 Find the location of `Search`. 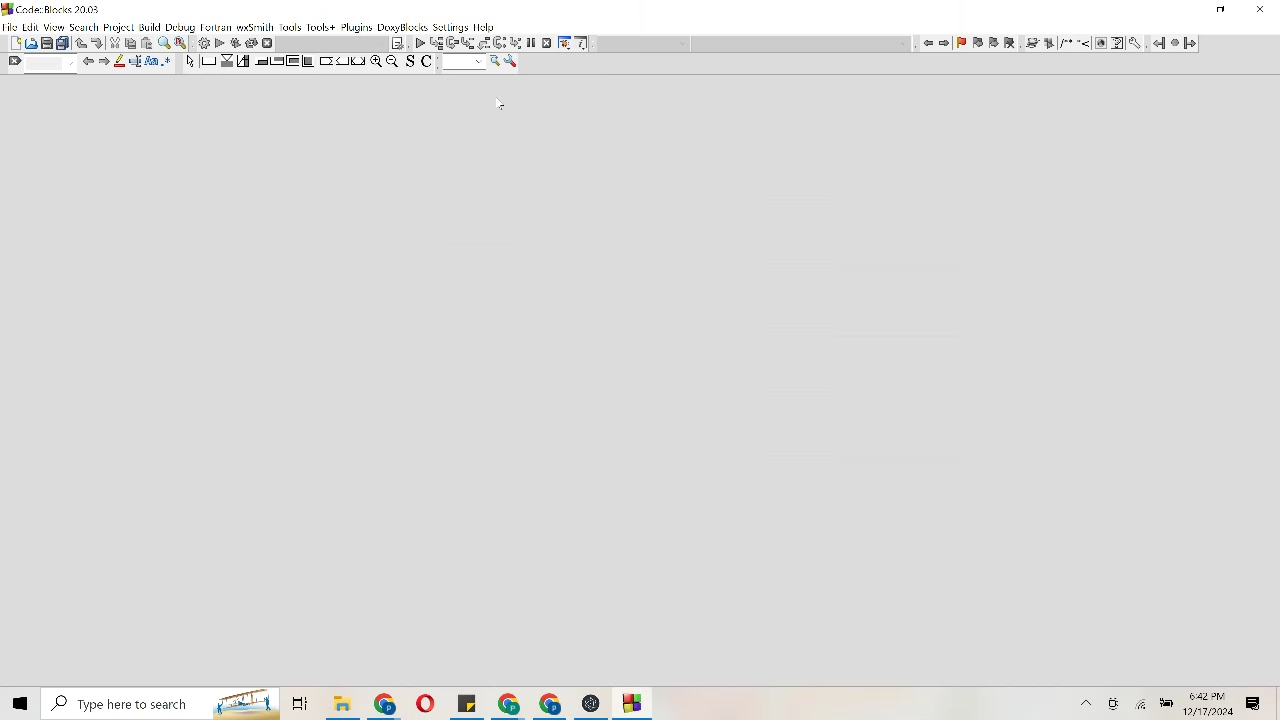

Search is located at coordinates (472, 63).